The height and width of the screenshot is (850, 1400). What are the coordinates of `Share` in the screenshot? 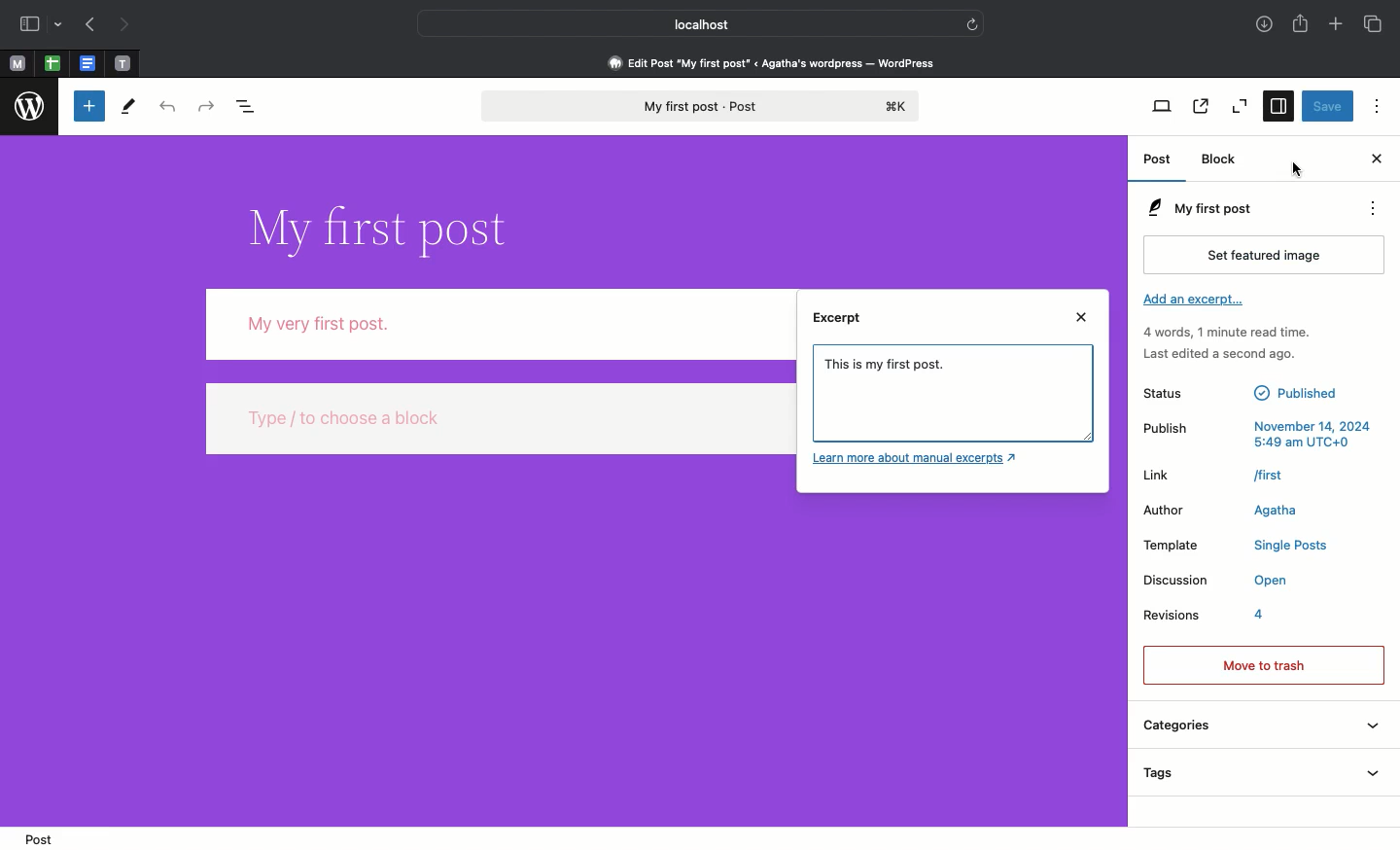 It's located at (1303, 25).